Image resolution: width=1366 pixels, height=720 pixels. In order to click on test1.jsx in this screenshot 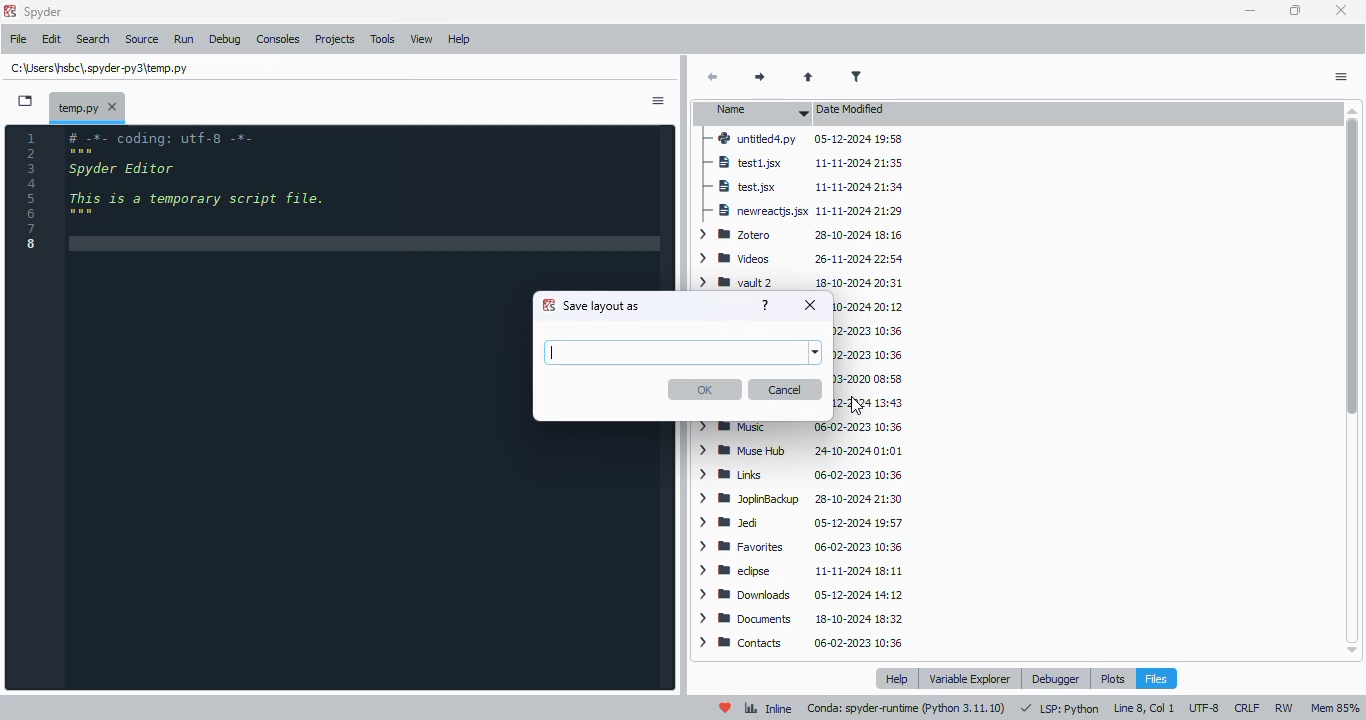, I will do `click(805, 163)`.